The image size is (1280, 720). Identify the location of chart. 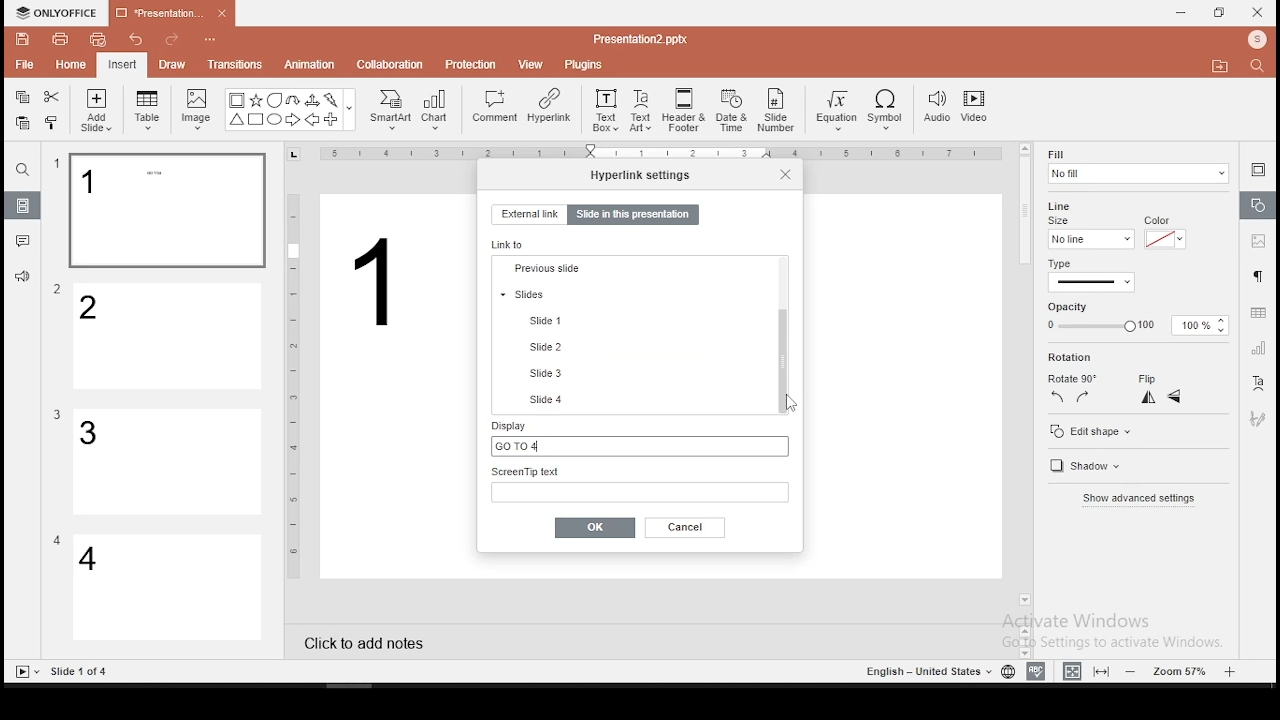
(436, 109).